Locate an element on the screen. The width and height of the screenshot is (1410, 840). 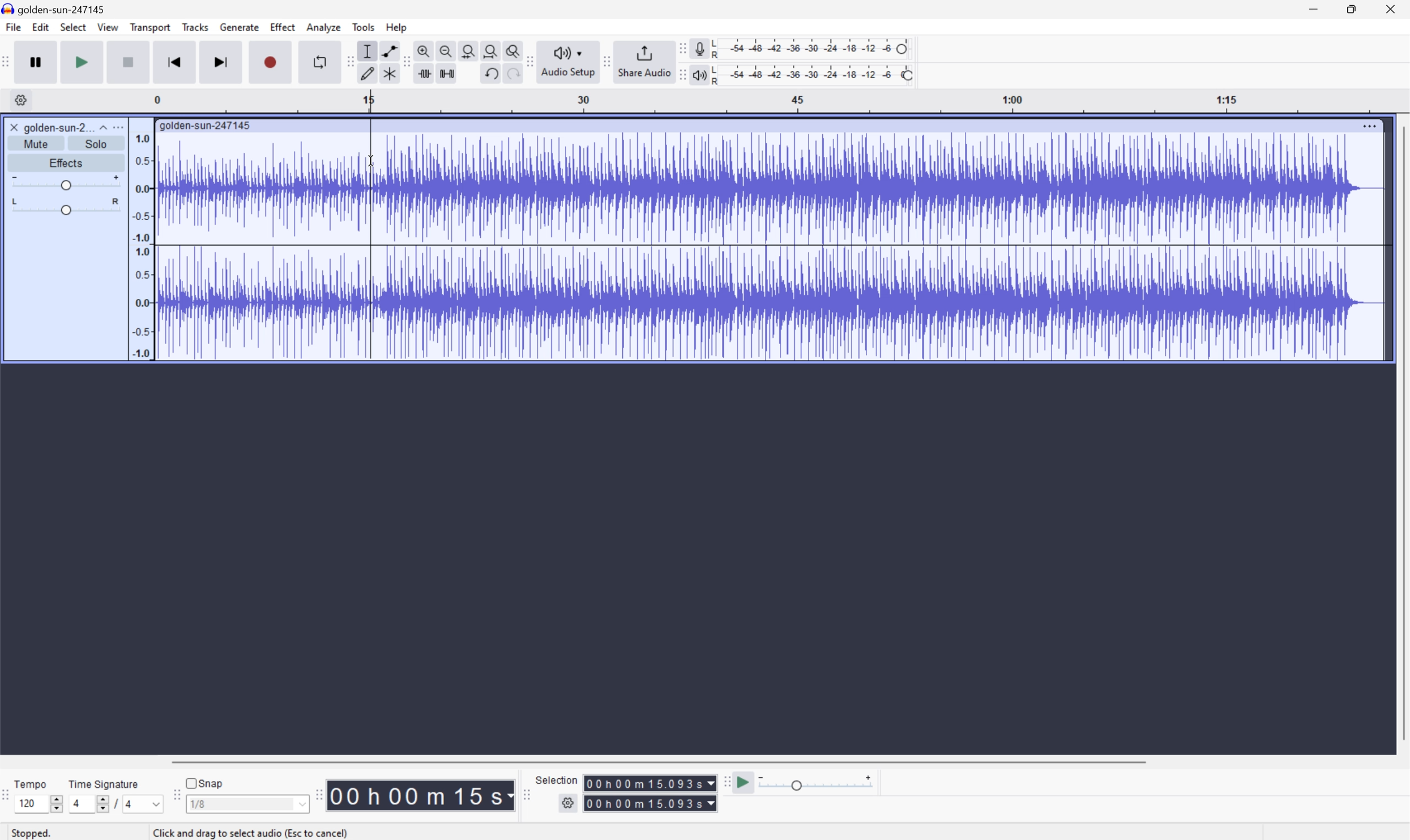
Play is located at coordinates (83, 62).